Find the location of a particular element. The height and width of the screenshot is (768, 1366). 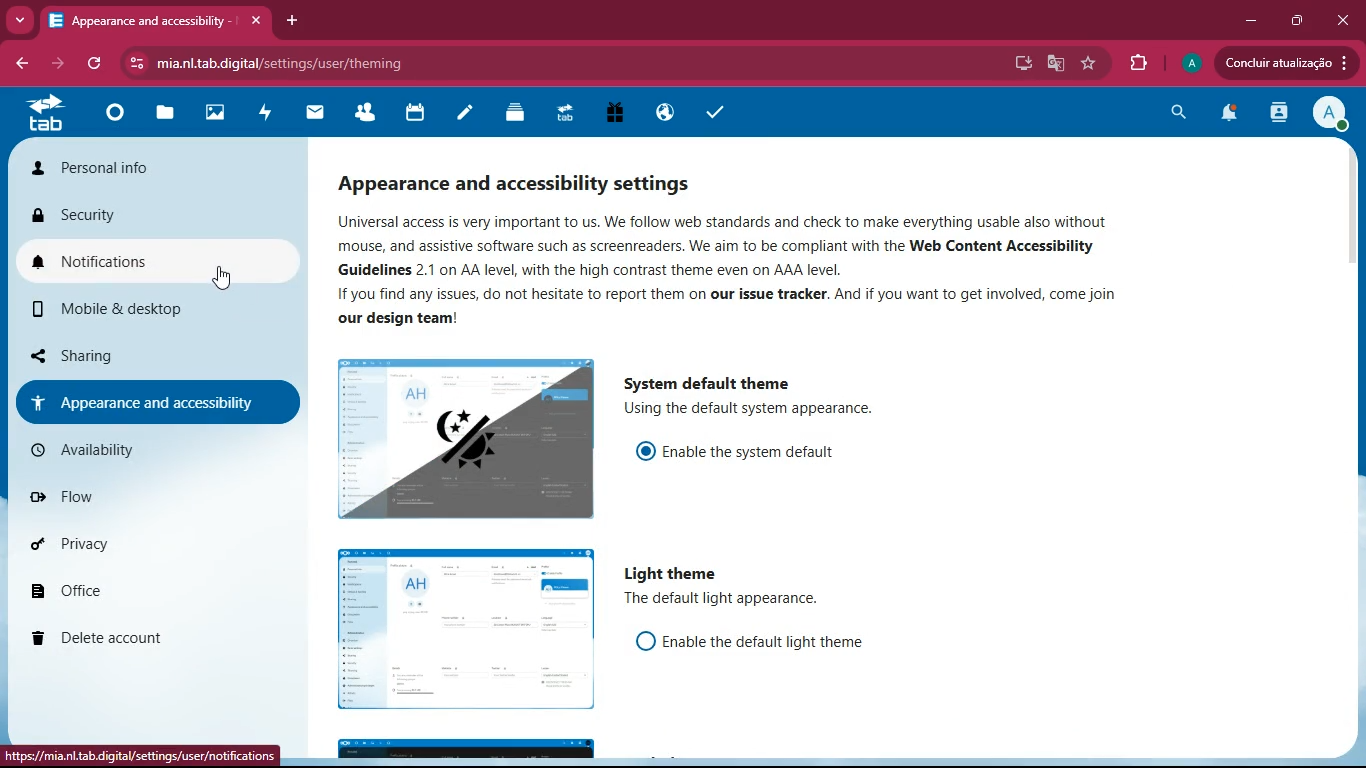

delete is located at coordinates (158, 637).